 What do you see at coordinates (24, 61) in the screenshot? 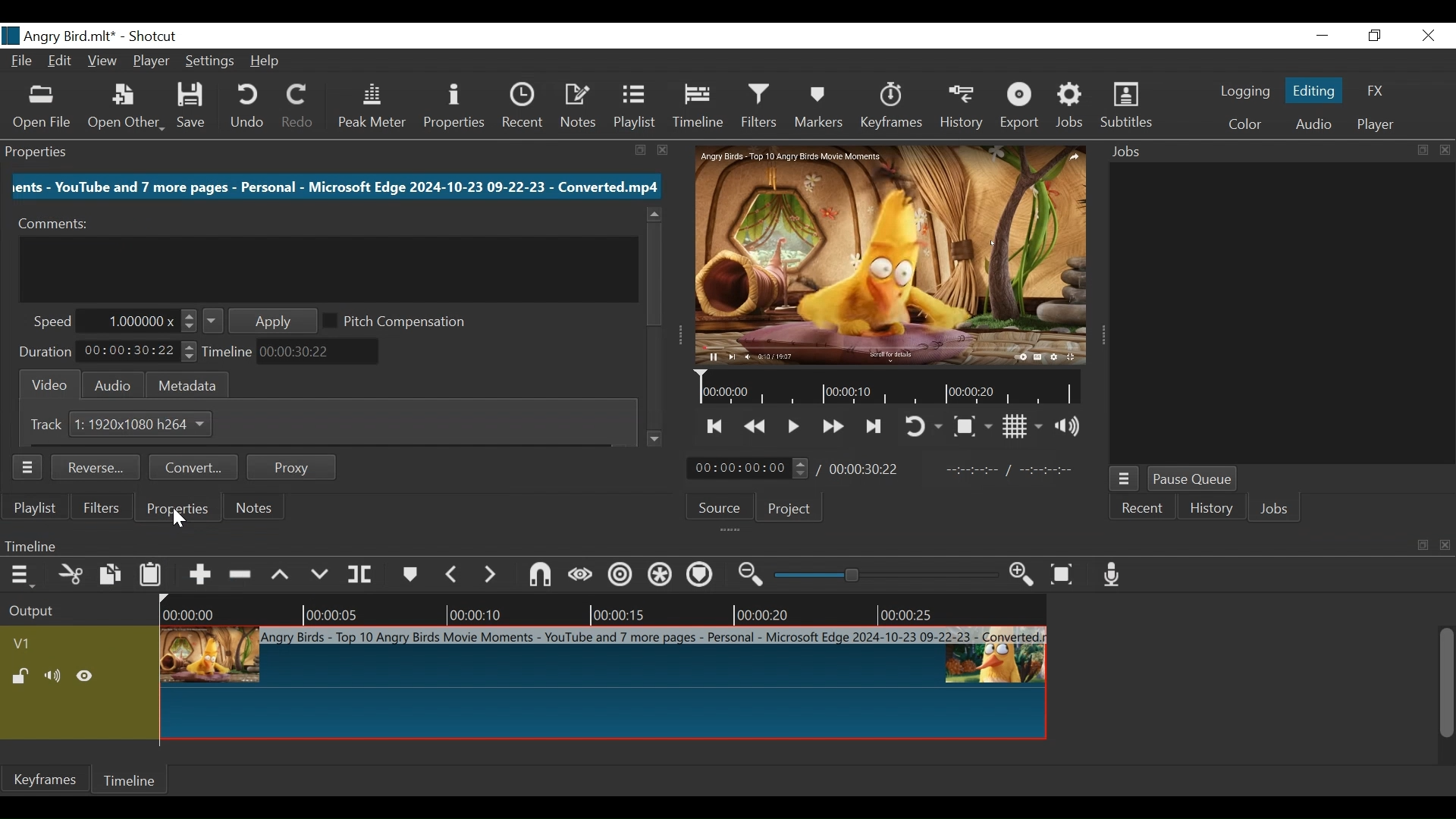
I see `File` at bounding box center [24, 61].